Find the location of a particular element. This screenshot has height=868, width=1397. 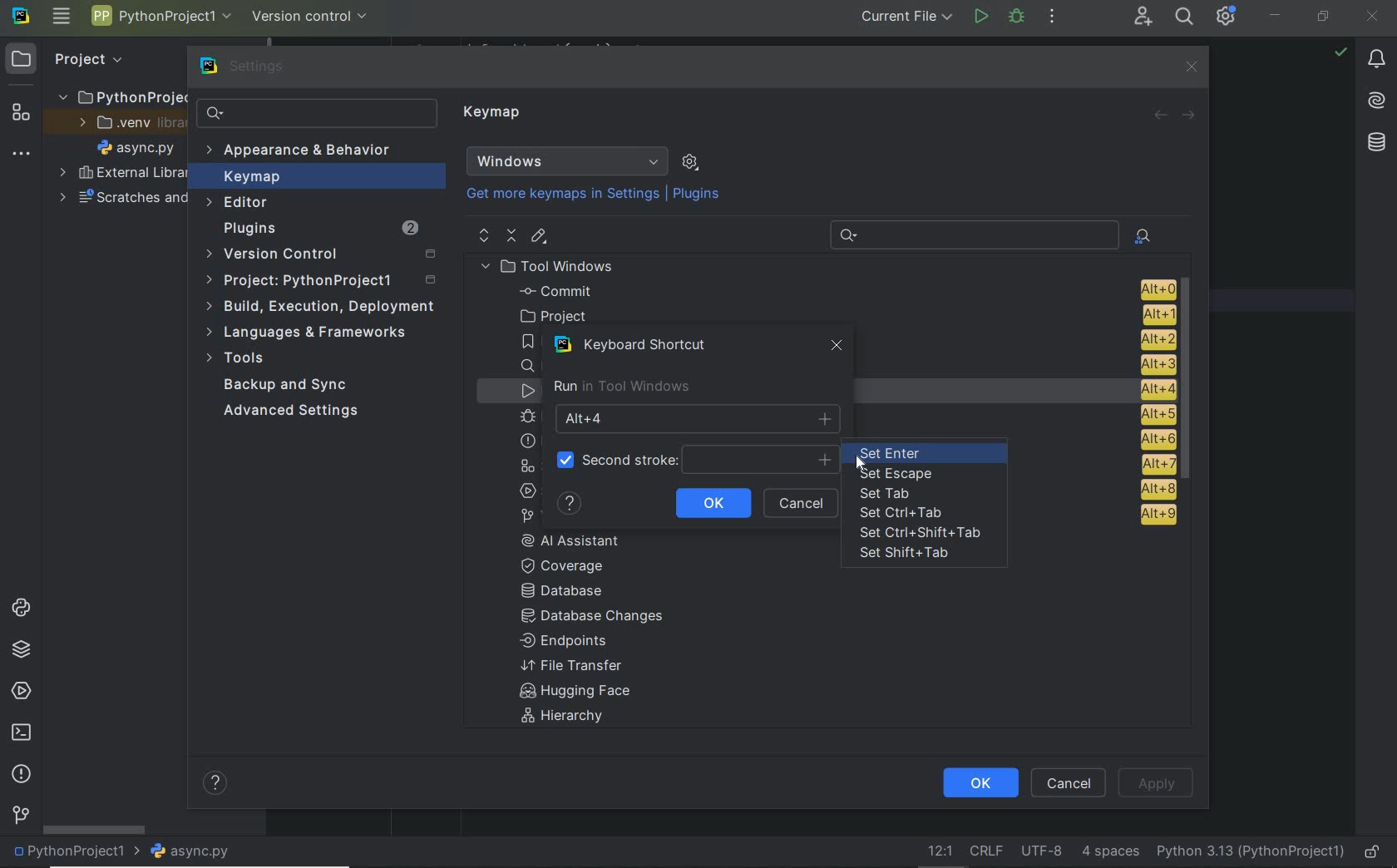

version control is located at coordinates (311, 15).